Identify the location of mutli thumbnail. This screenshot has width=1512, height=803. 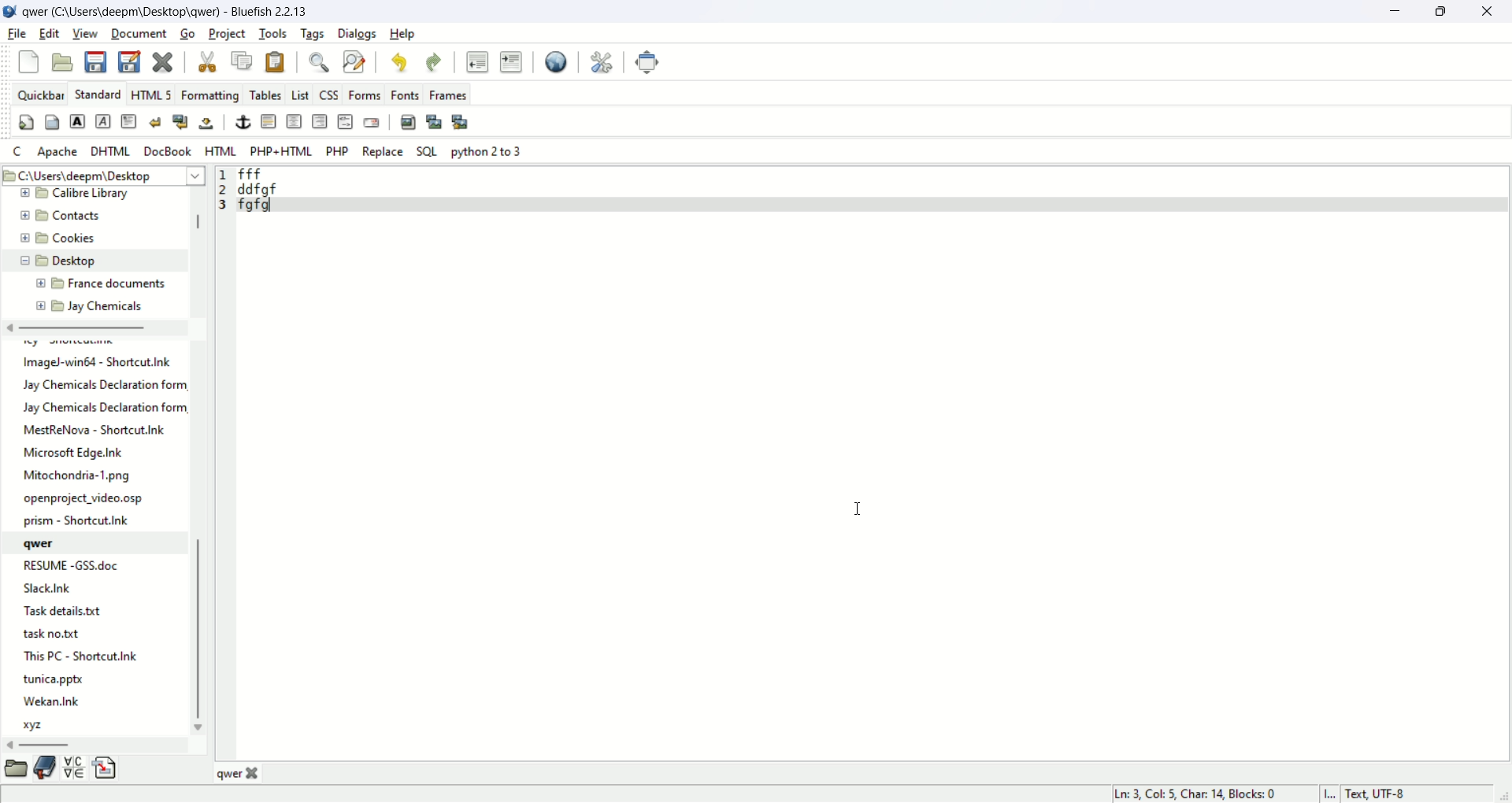
(458, 120).